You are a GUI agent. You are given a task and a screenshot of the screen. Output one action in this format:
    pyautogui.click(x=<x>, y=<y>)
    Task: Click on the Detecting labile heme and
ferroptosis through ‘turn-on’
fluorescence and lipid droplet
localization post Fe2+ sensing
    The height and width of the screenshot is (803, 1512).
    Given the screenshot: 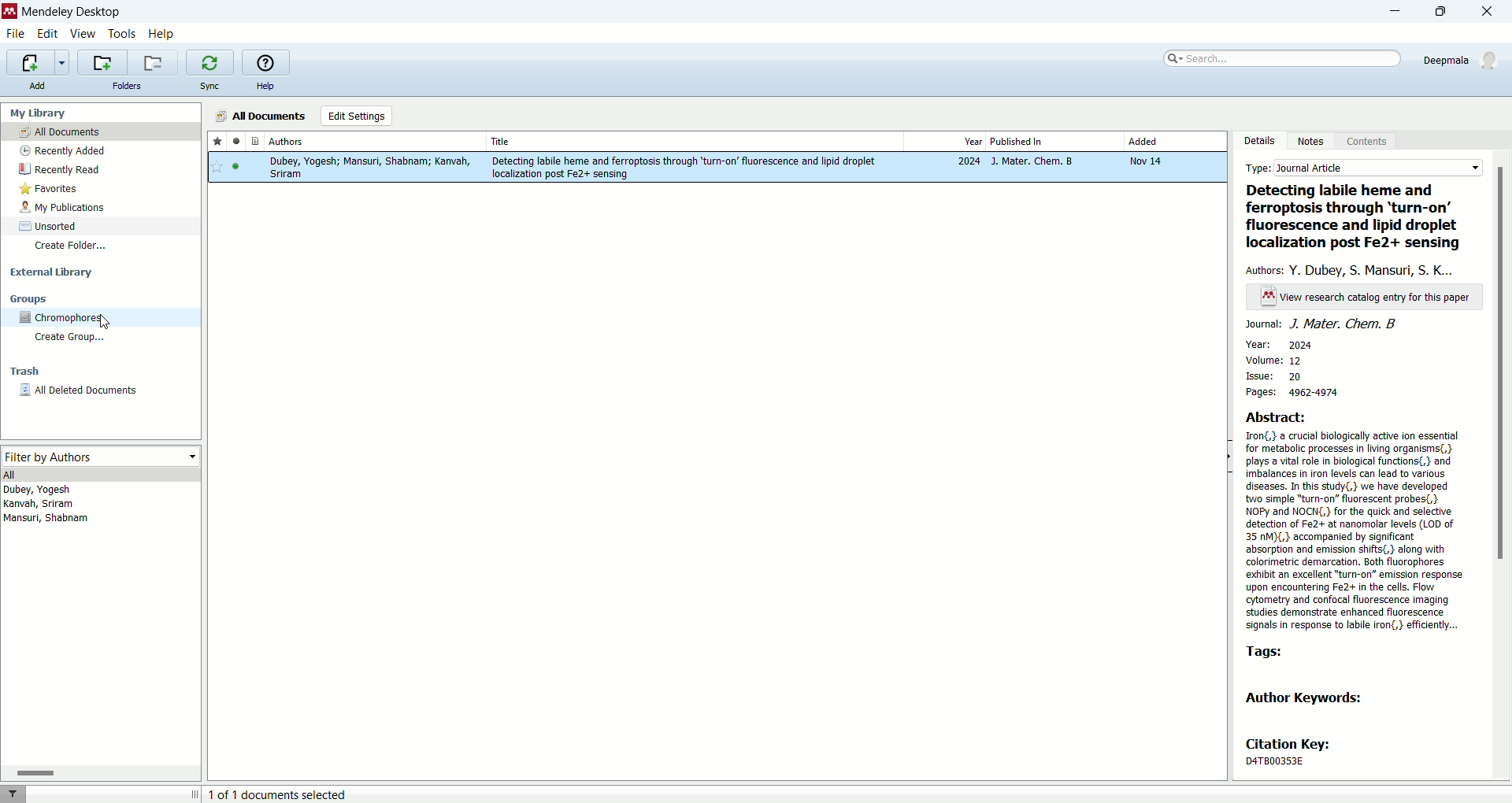 What is the action you would take?
    pyautogui.click(x=1358, y=218)
    